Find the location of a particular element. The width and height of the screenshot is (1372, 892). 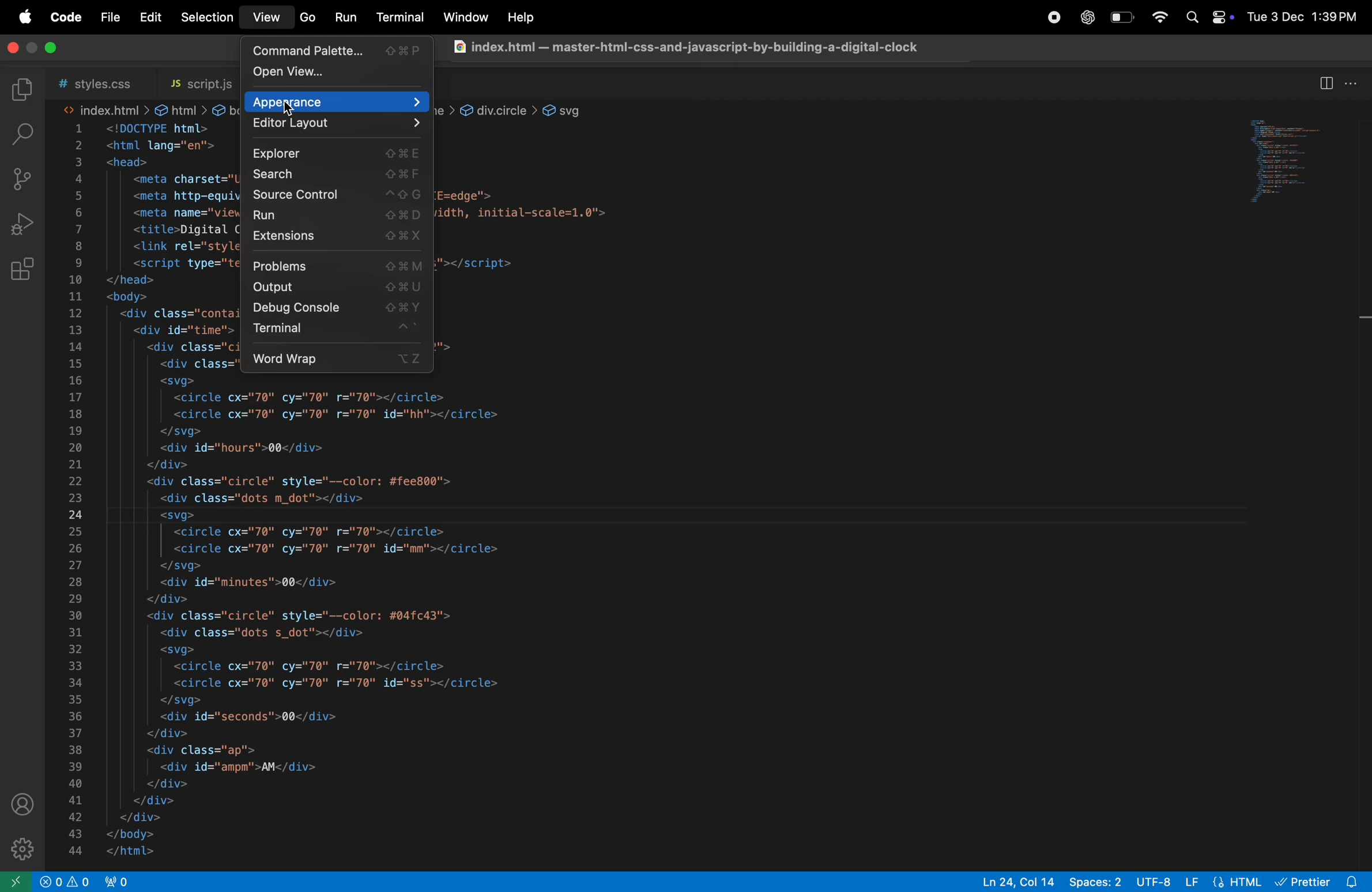

explorer is located at coordinates (337, 154).